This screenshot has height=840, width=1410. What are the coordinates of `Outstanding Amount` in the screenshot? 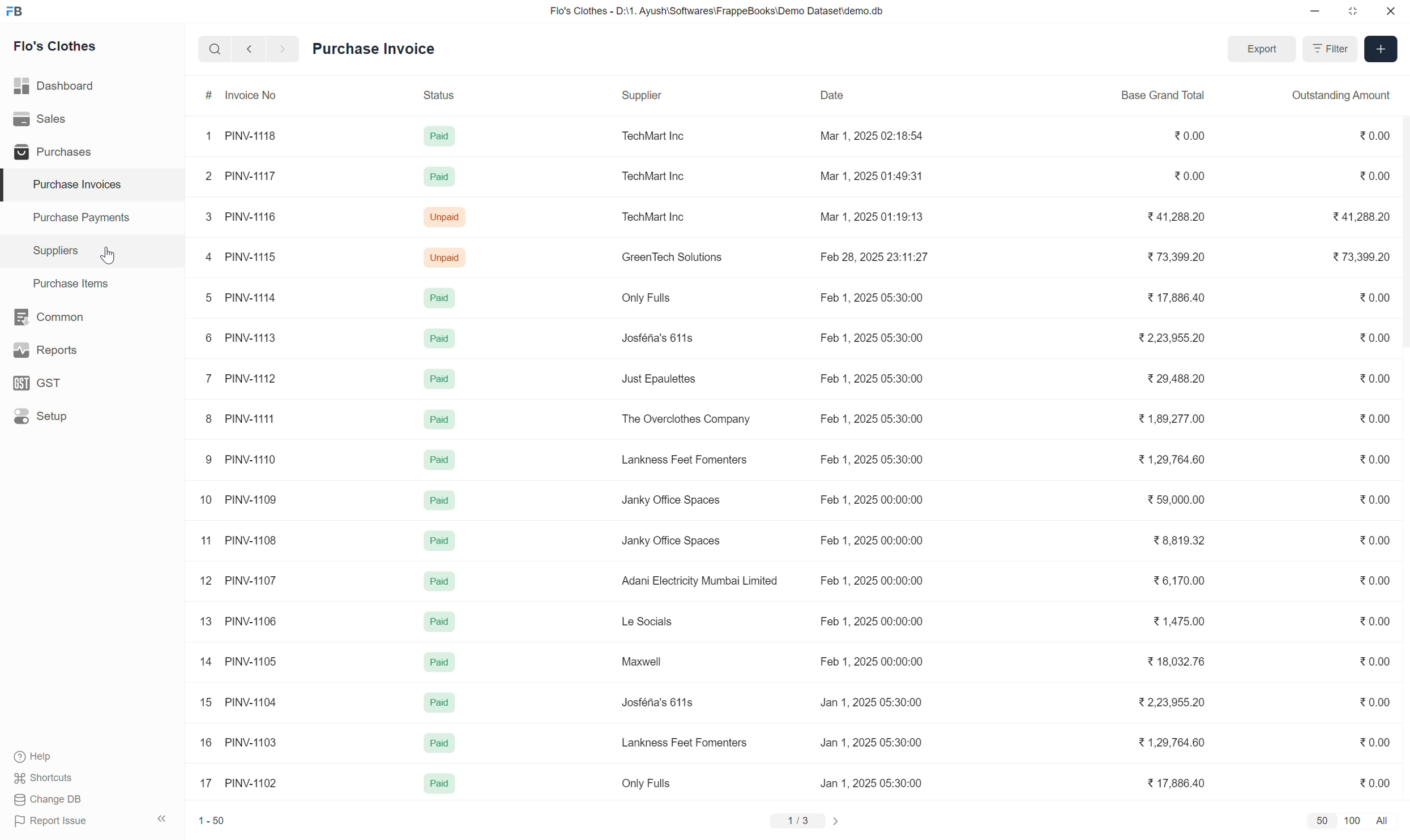 It's located at (1336, 93).